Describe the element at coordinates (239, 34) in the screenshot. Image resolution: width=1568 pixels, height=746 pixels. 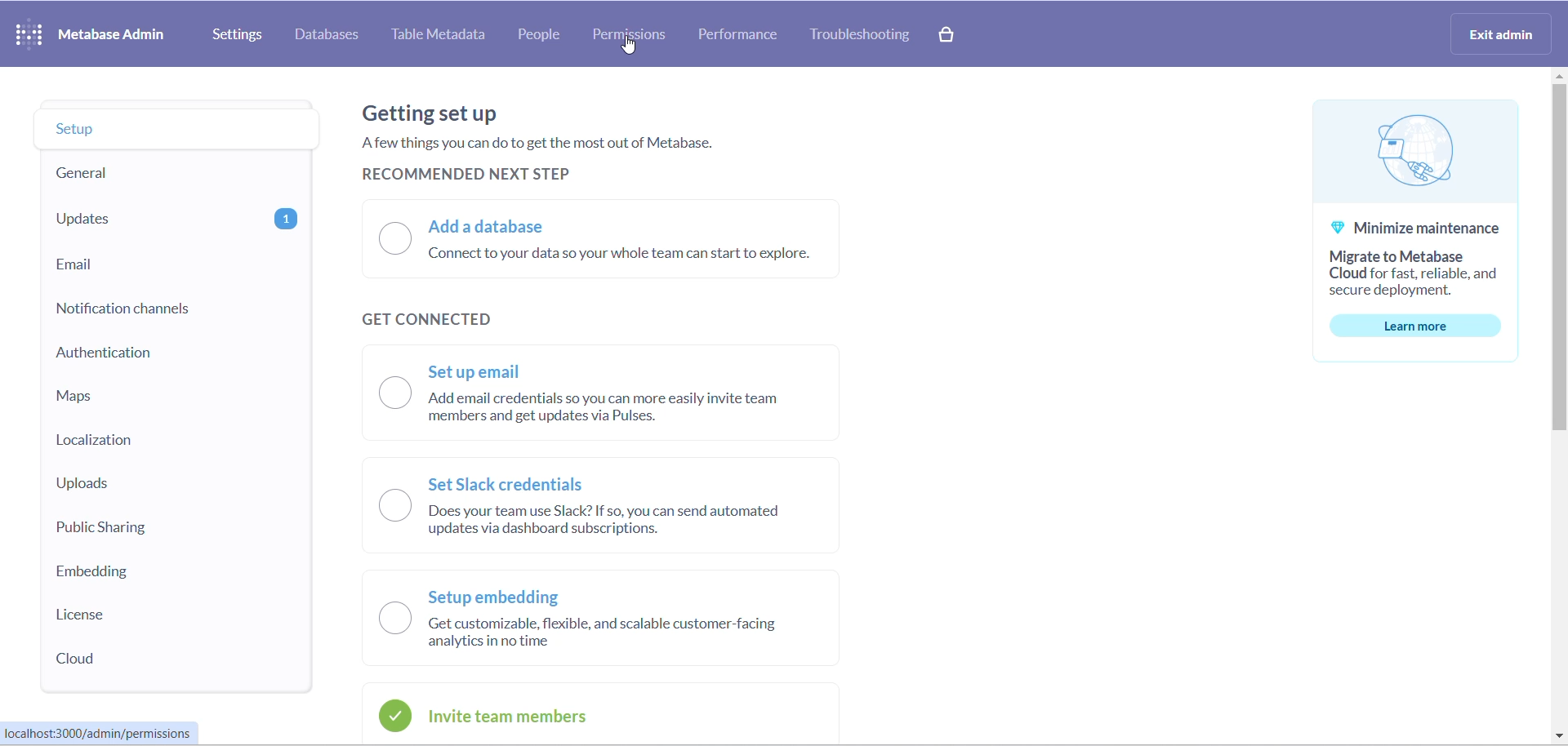
I see `settings` at that location.